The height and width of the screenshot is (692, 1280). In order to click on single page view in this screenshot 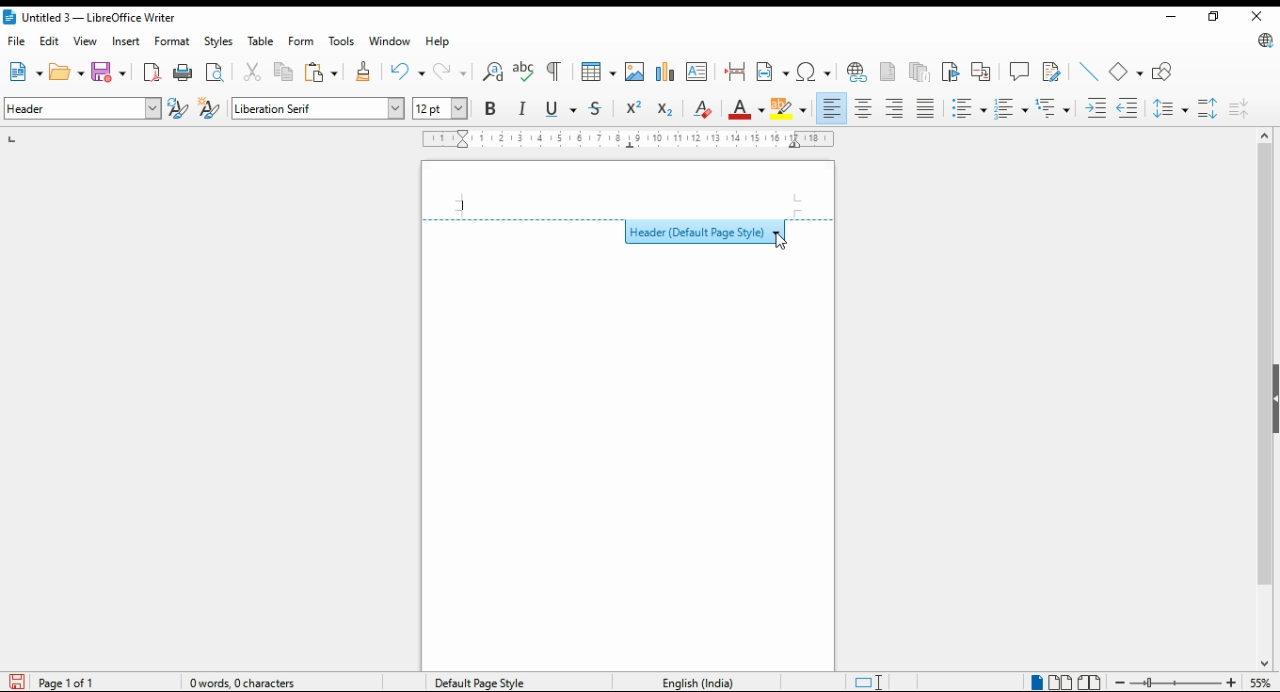, I will do `click(1036, 681)`.